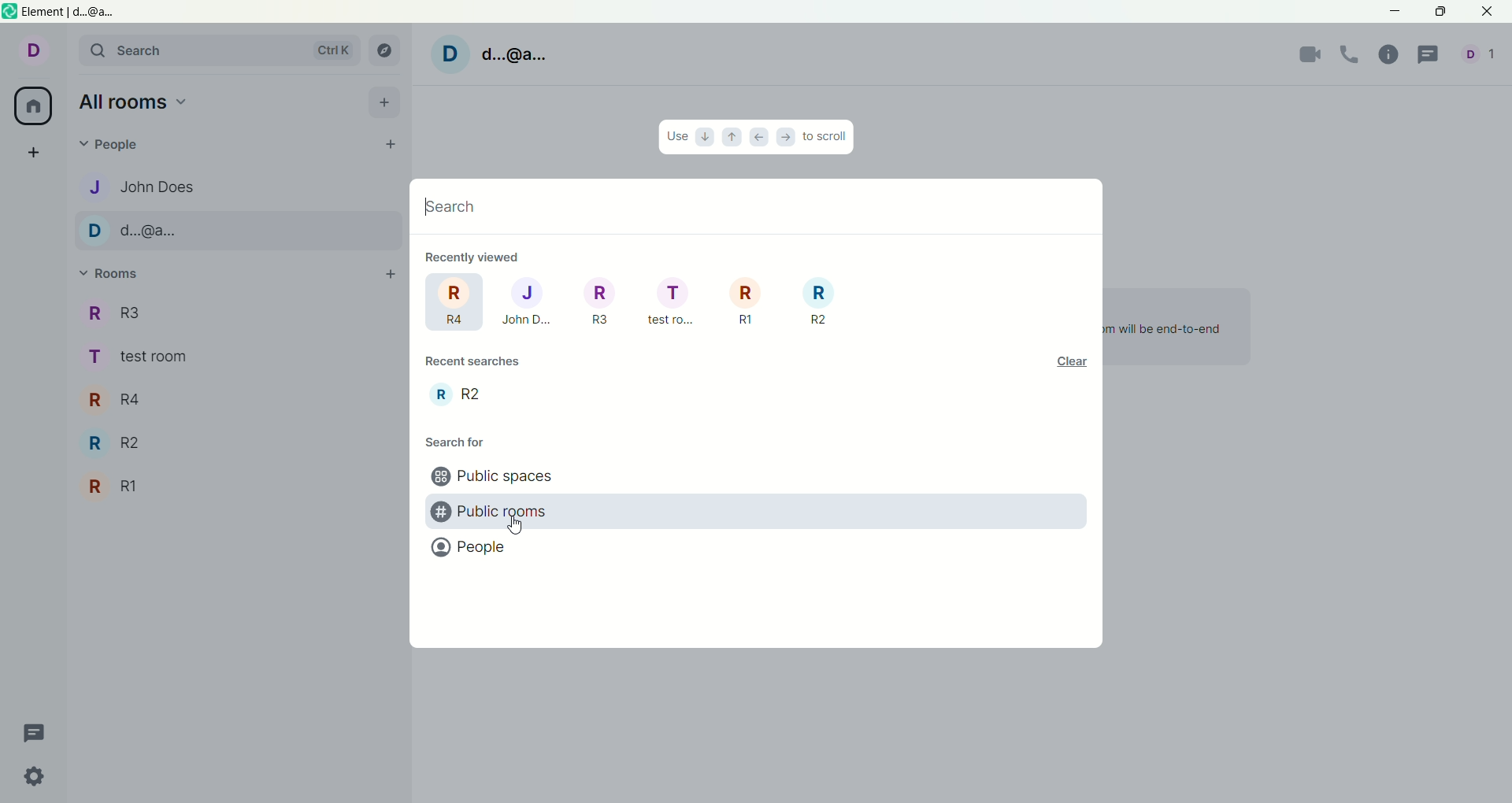 Image resolution: width=1512 pixels, height=803 pixels. Describe the element at coordinates (702, 137) in the screenshot. I see `down arrow` at that location.